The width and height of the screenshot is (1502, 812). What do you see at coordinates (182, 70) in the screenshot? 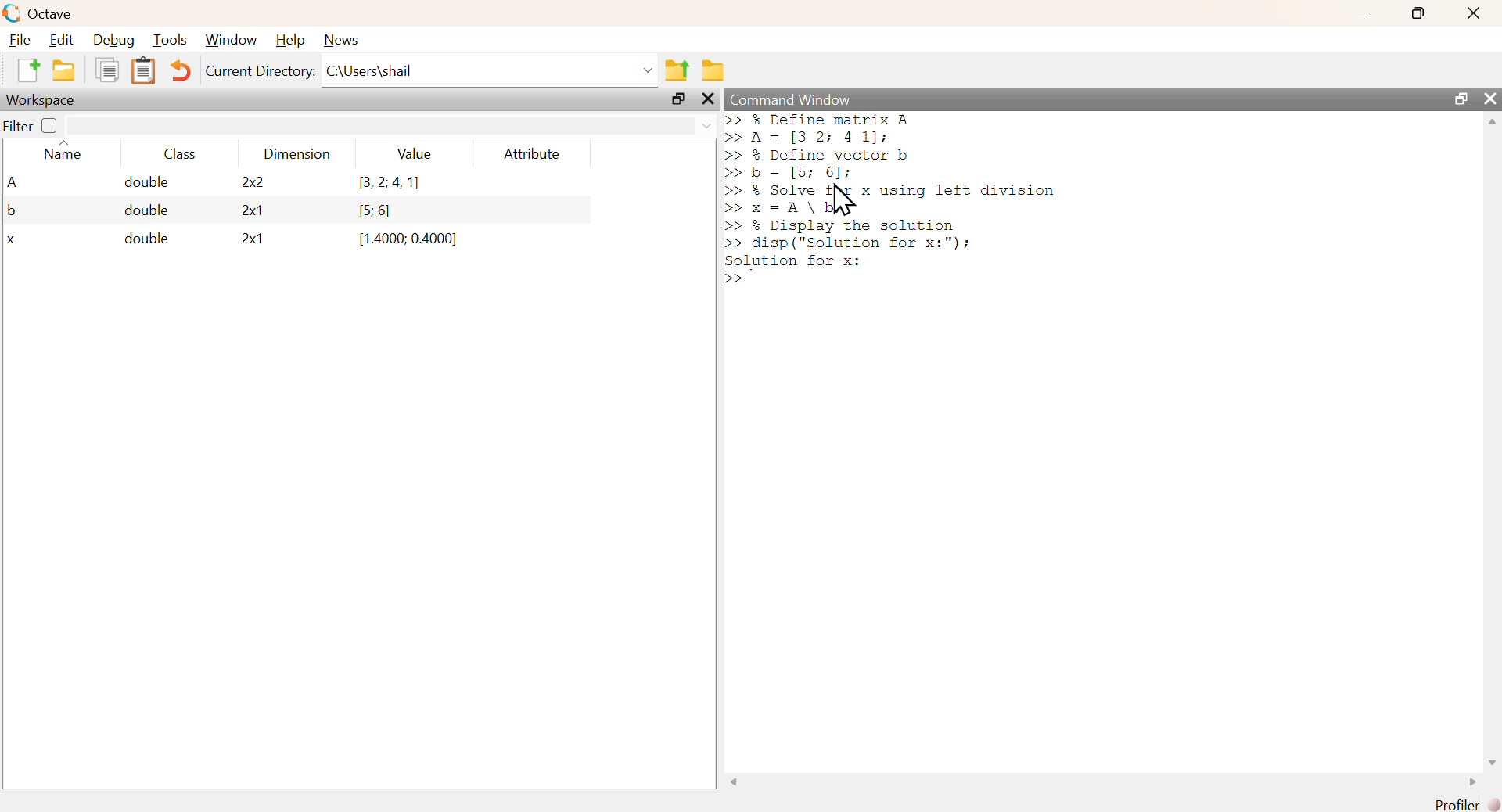
I see `undo` at bounding box center [182, 70].